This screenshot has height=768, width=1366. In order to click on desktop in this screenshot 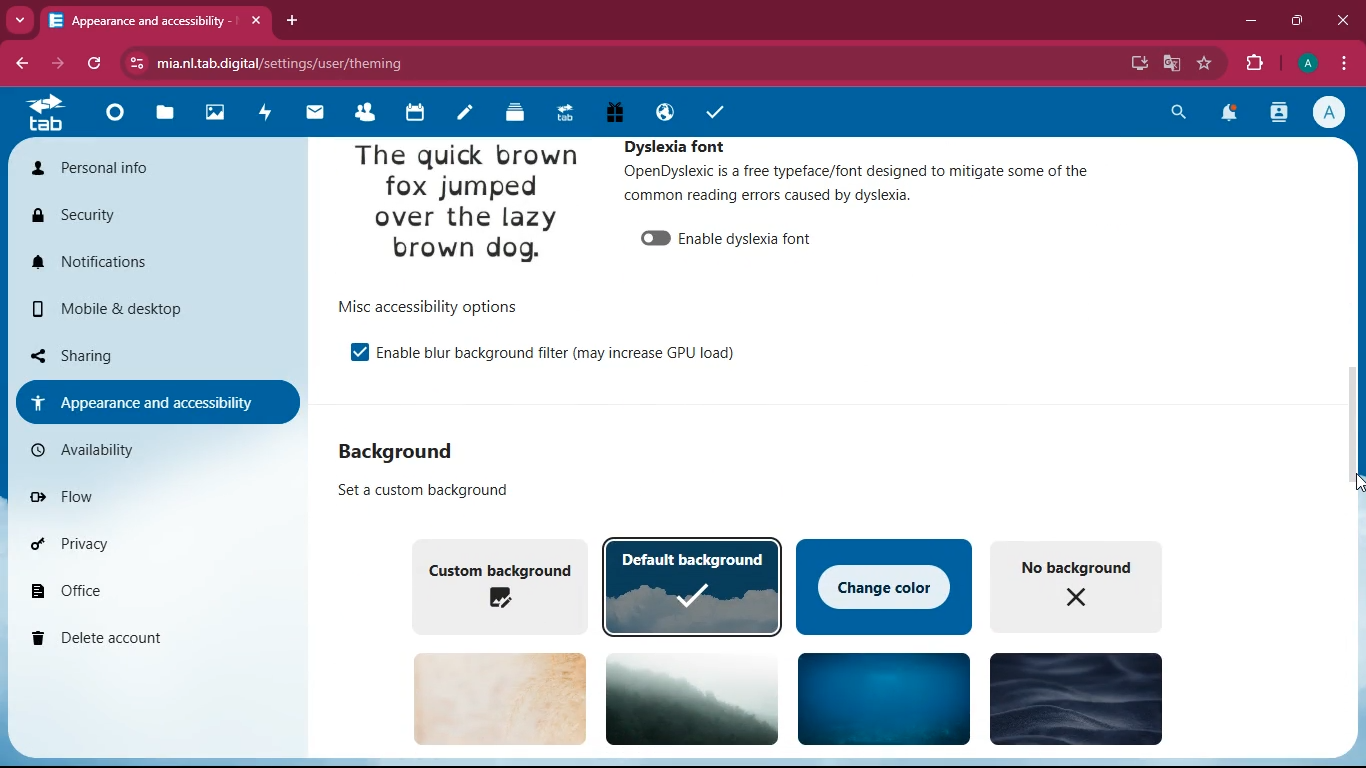, I will do `click(1138, 63)`.